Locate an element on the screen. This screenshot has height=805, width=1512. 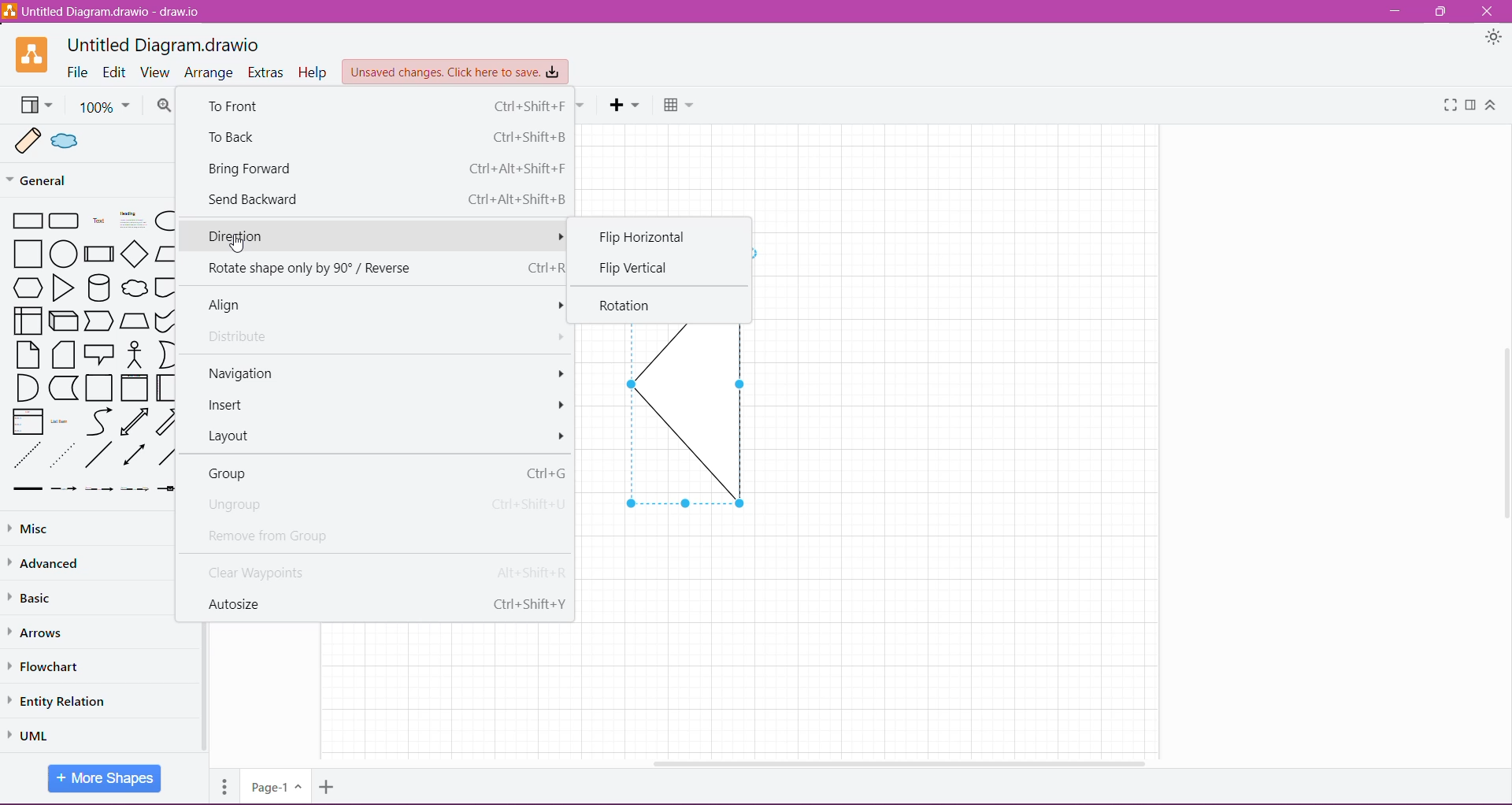
Rotate shape only by 90° / Reverse Ctrl+R is located at coordinates (384, 269).